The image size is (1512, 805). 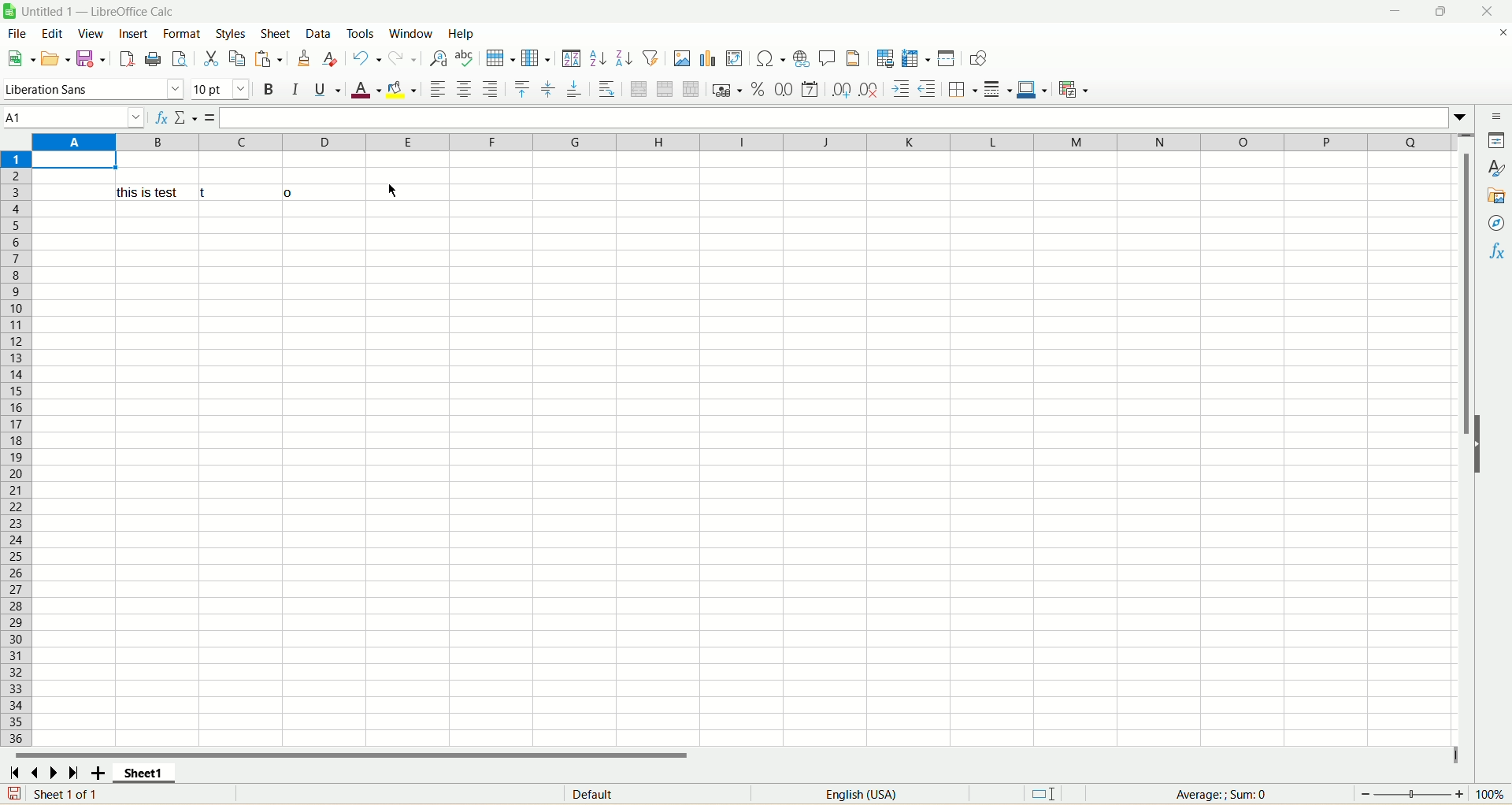 What do you see at coordinates (210, 60) in the screenshot?
I see `cut` at bounding box center [210, 60].